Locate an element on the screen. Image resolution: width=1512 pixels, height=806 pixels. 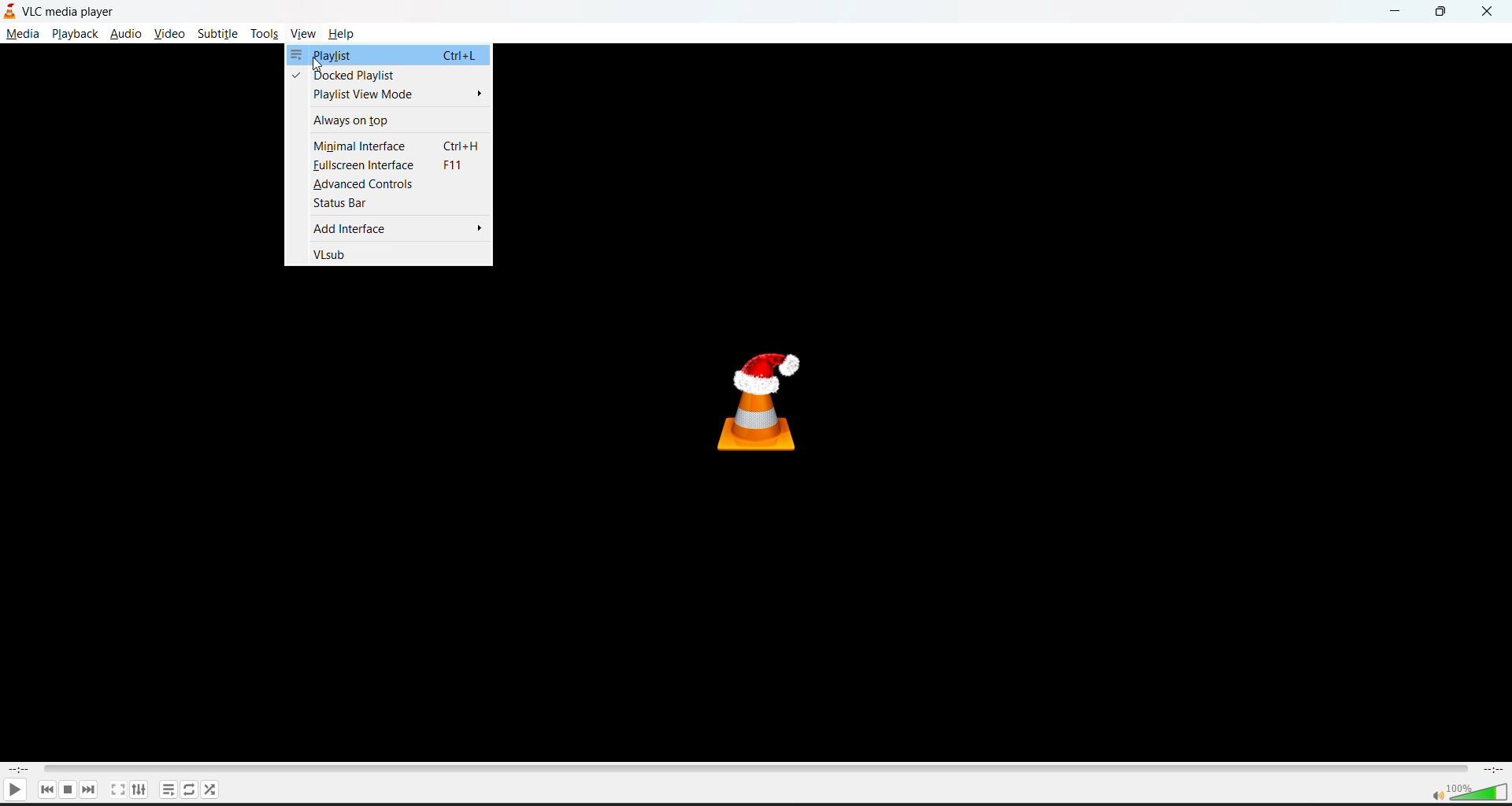
add interface is located at coordinates (391, 228).